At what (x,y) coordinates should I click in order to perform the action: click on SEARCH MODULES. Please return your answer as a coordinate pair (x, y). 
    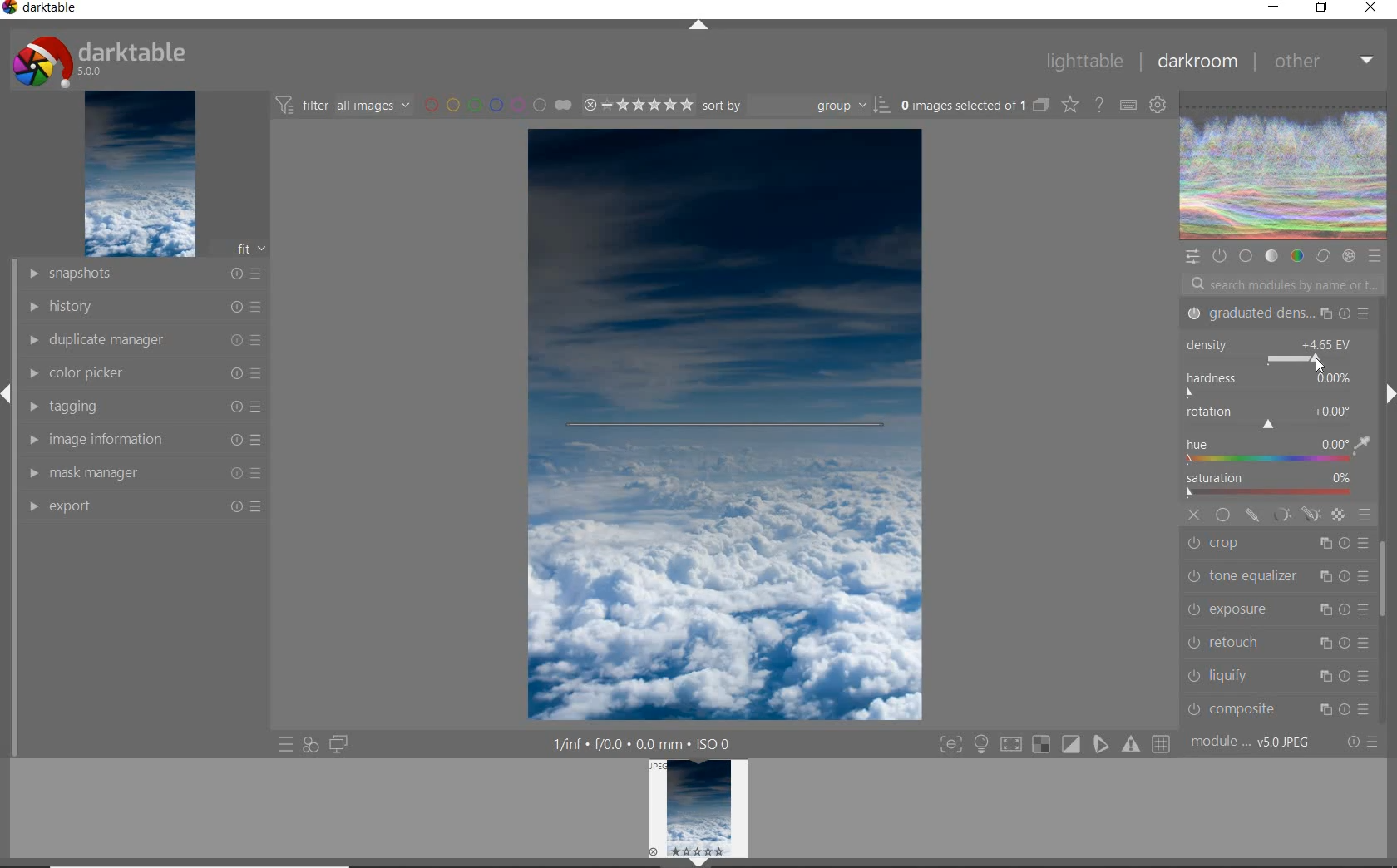
    Looking at the image, I should click on (1283, 284).